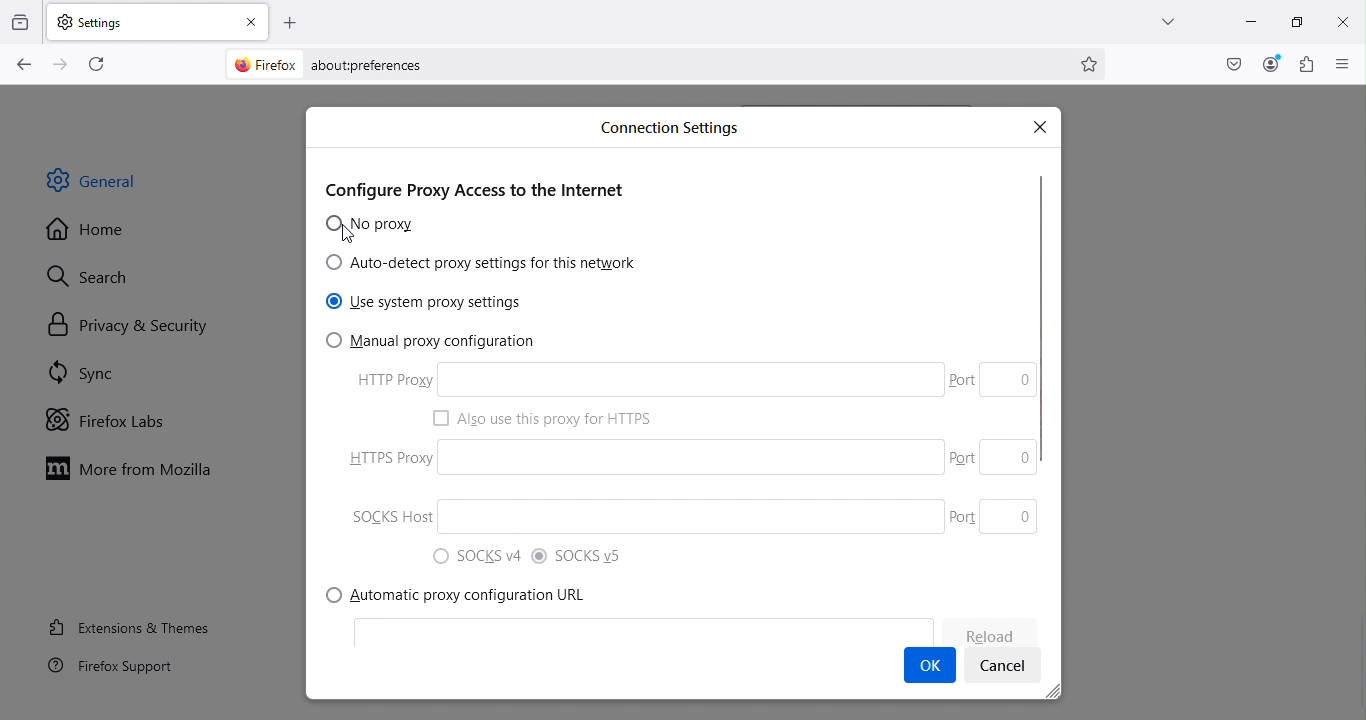 The image size is (1366, 720). I want to click on Port, so click(1012, 457).